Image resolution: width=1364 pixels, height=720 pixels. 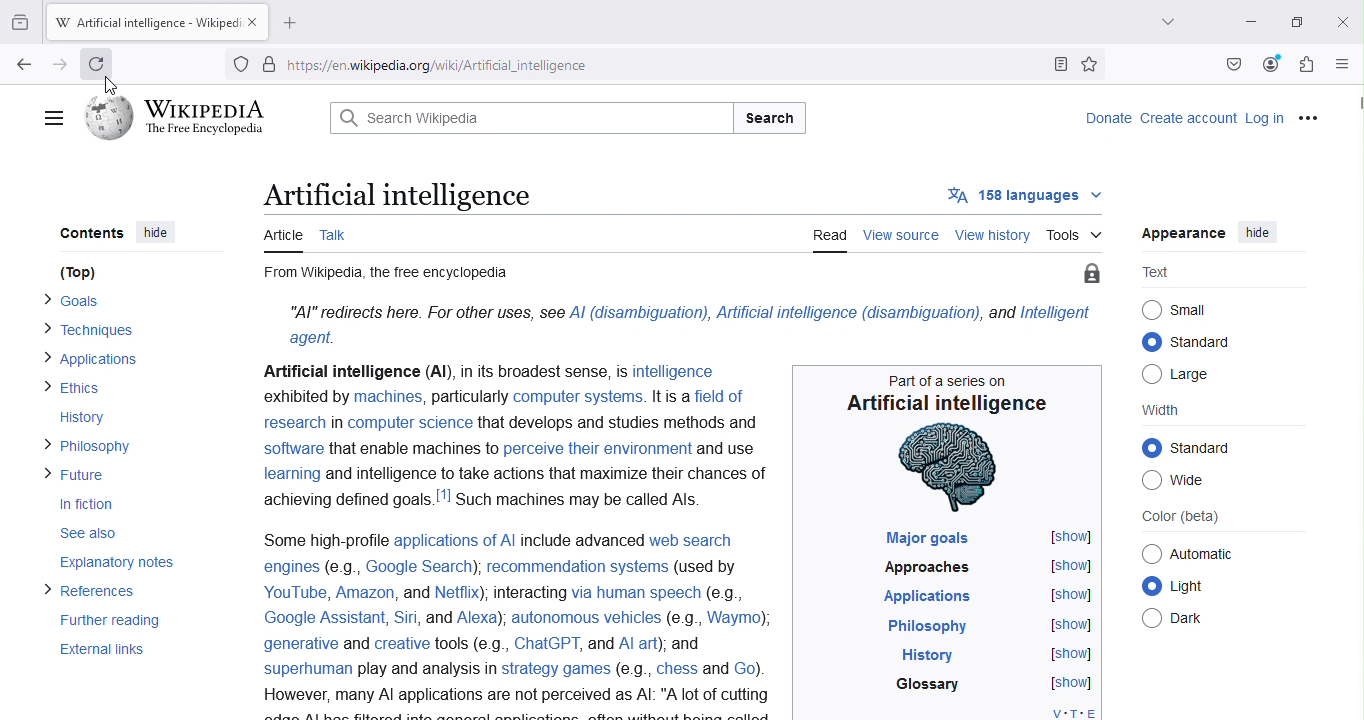 I want to click on It is a, so click(x=669, y=399).